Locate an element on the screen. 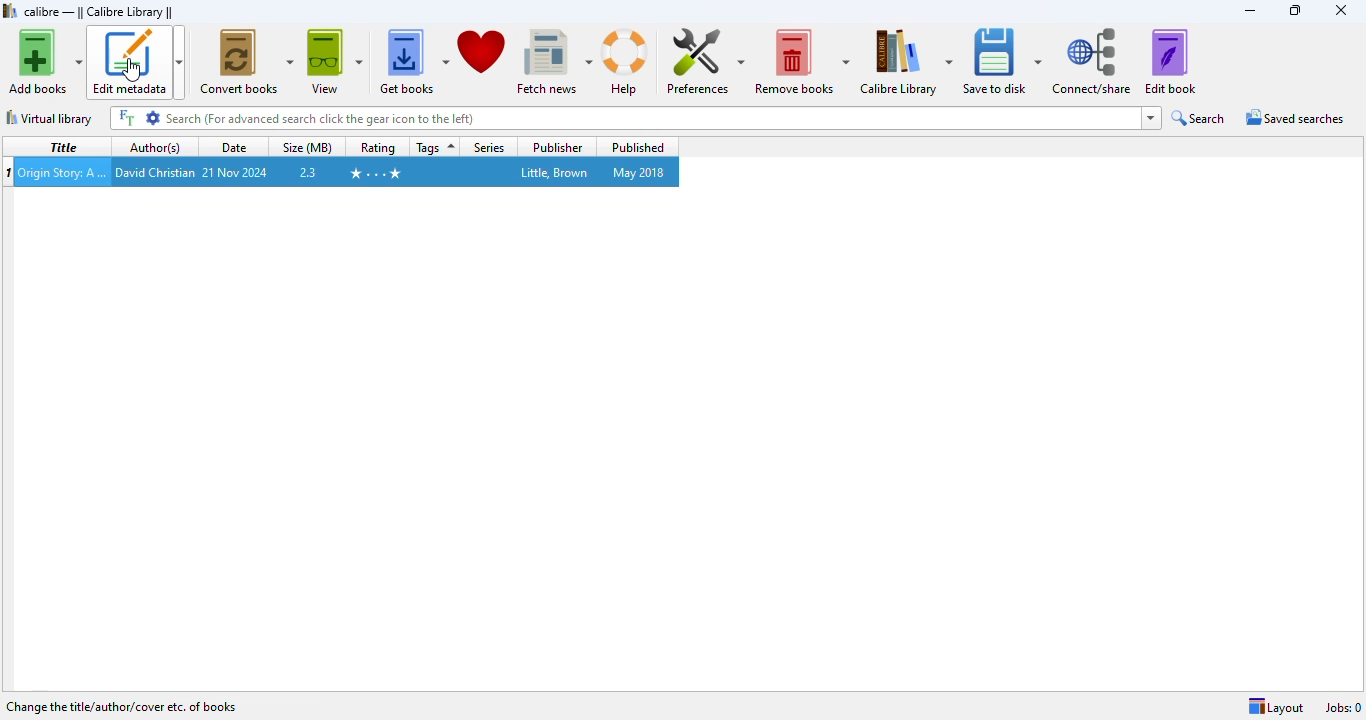  get books is located at coordinates (412, 60).